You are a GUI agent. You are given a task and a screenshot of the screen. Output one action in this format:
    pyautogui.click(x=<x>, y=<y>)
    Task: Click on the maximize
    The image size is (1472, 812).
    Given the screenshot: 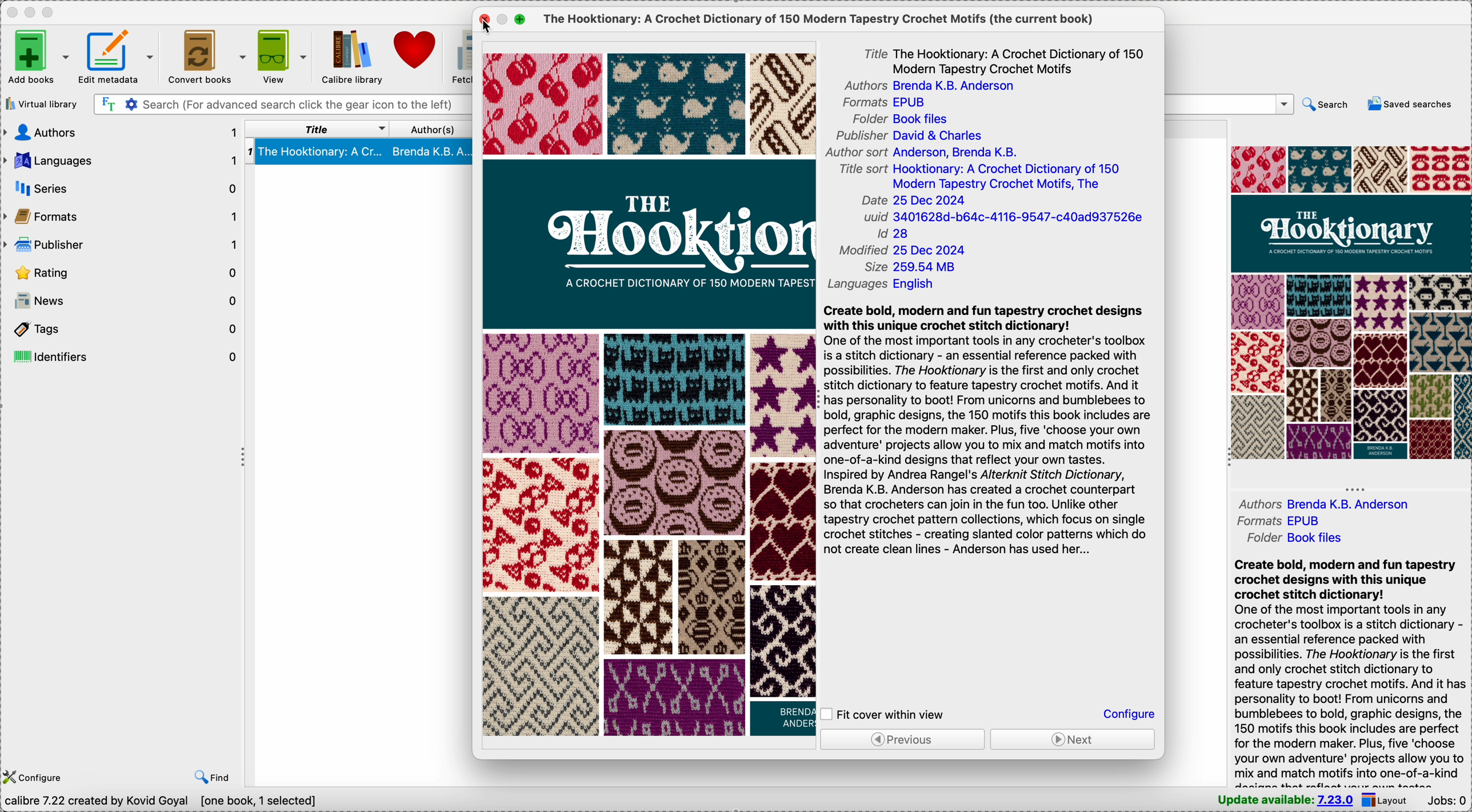 What is the action you would take?
    pyautogui.click(x=51, y=12)
    